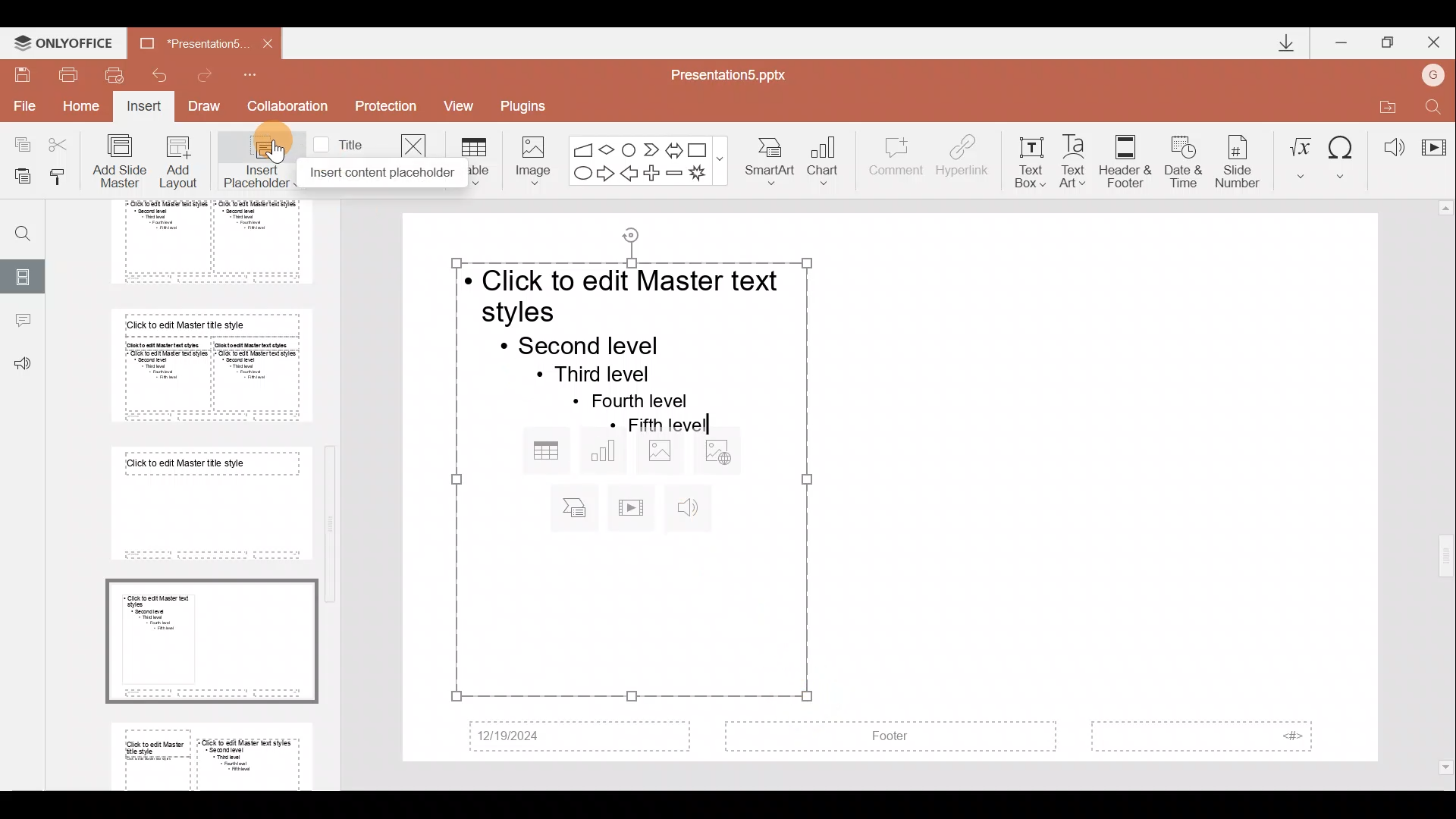 The image size is (1456, 819). What do you see at coordinates (476, 160) in the screenshot?
I see `Table` at bounding box center [476, 160].